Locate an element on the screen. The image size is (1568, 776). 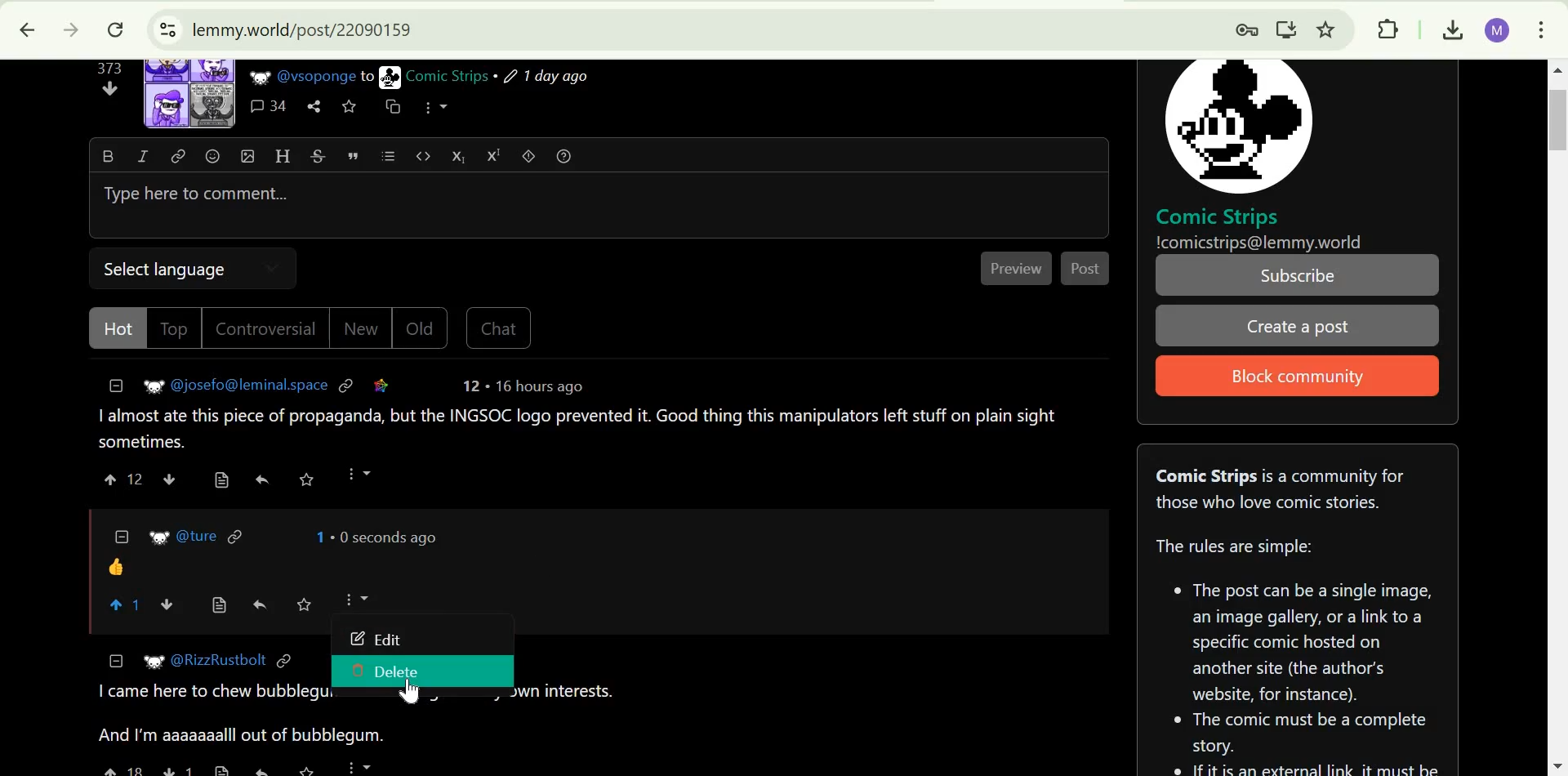
vertical scroll bar is located at coordinates (1550, 119).